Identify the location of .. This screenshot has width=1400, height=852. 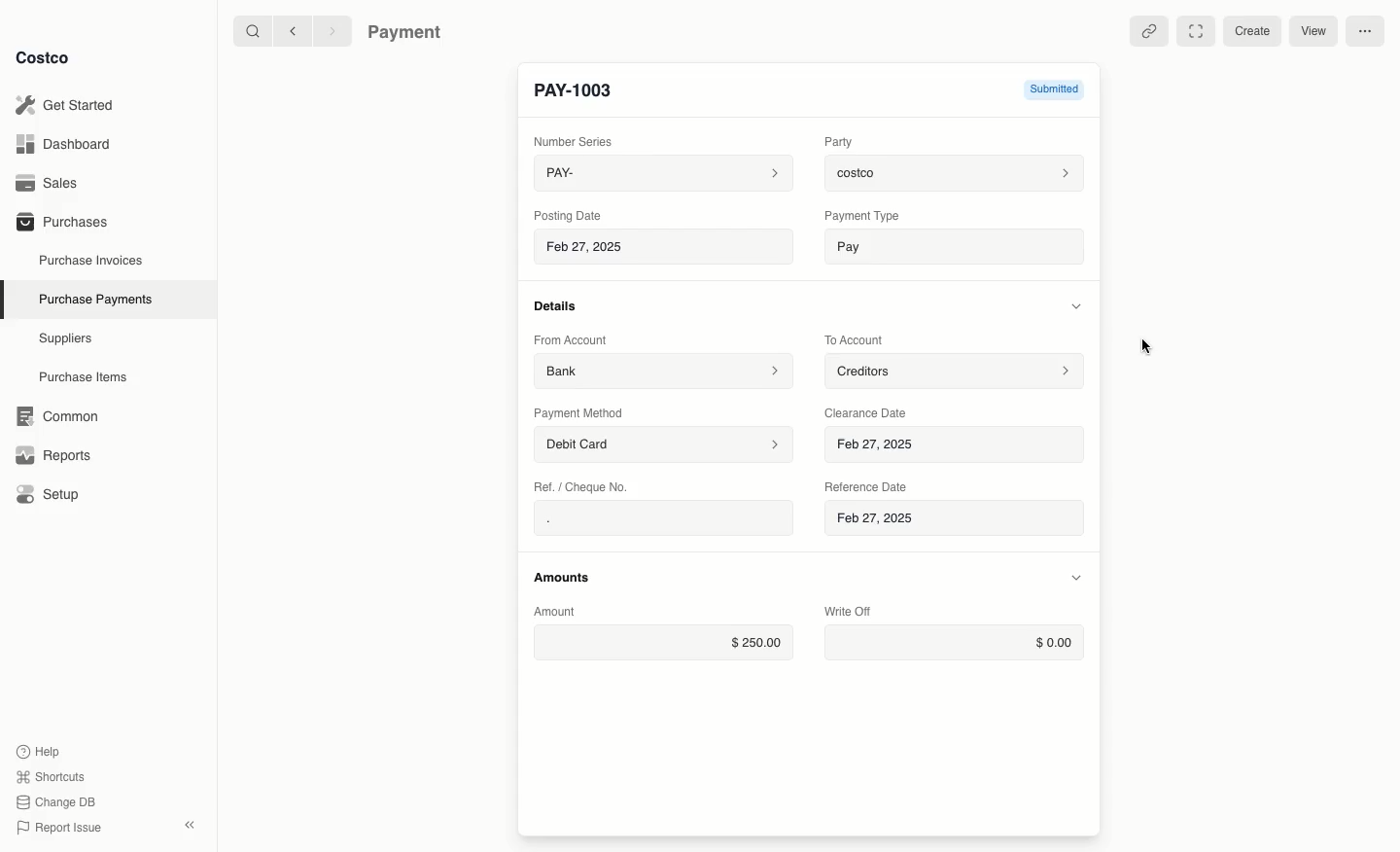
(606, 518).